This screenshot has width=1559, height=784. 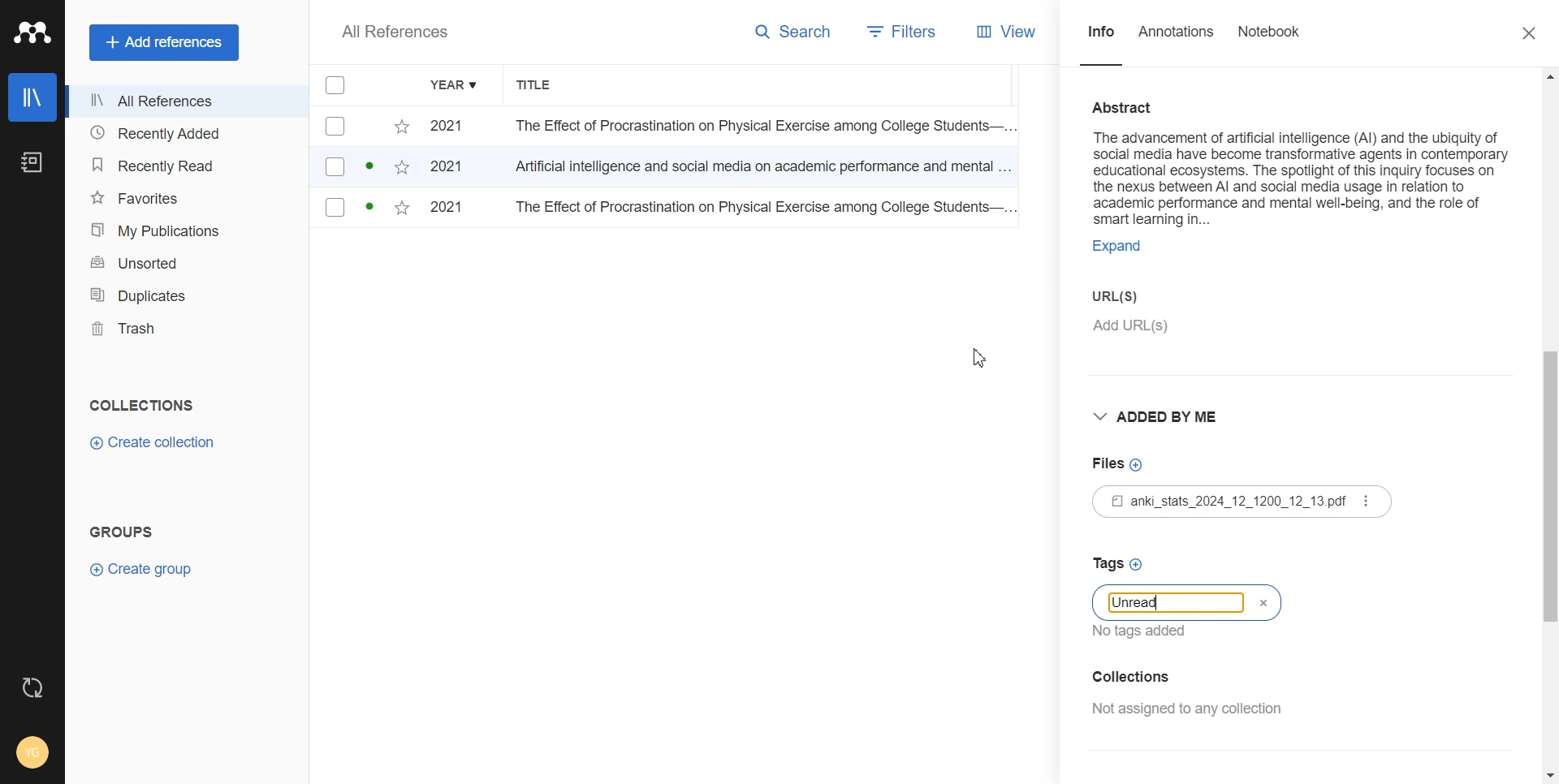 I want to click on All References, so click(x=186, y=103).